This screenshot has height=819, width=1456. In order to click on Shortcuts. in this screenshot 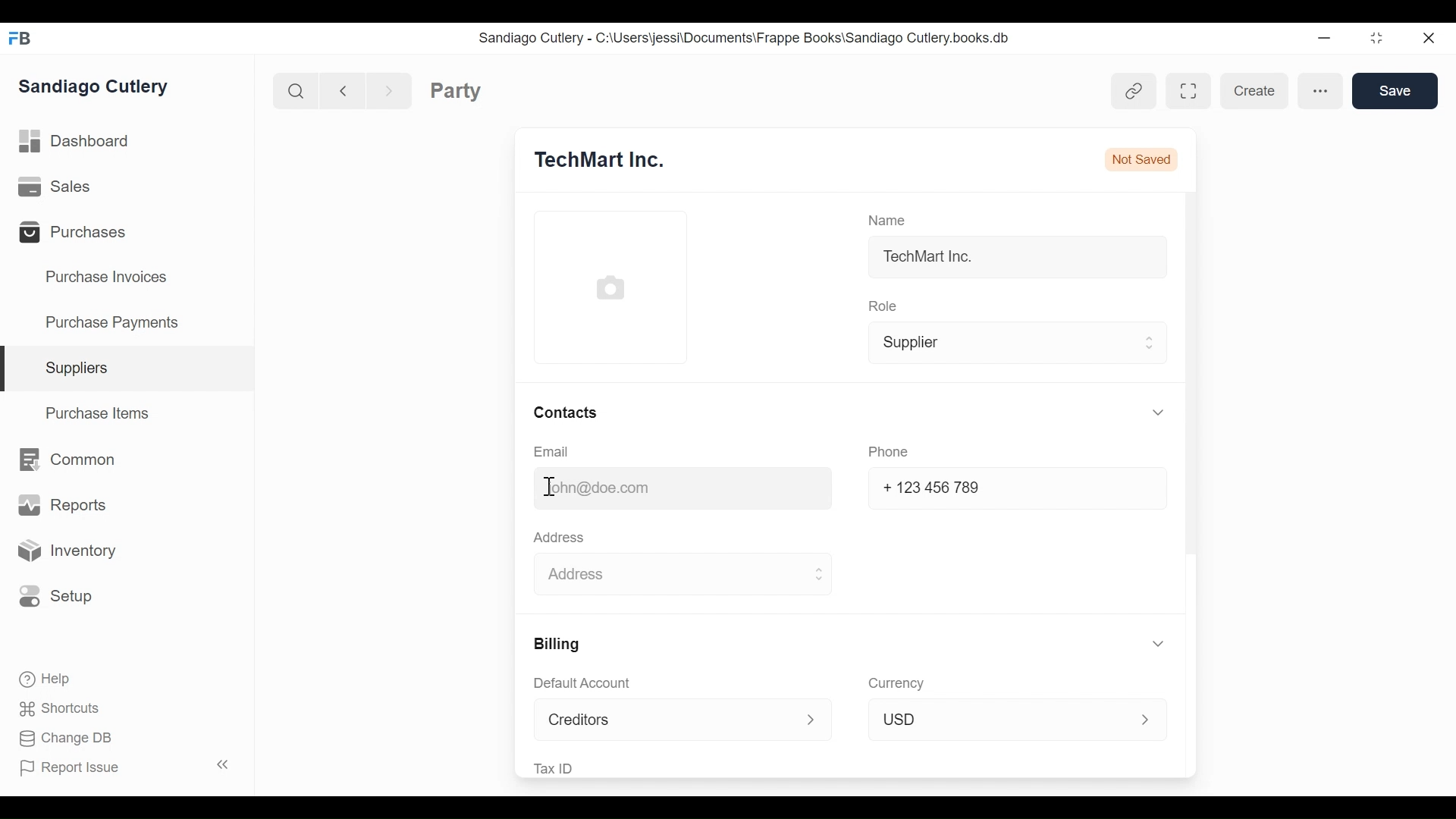, I will do `click(61, 709)`.